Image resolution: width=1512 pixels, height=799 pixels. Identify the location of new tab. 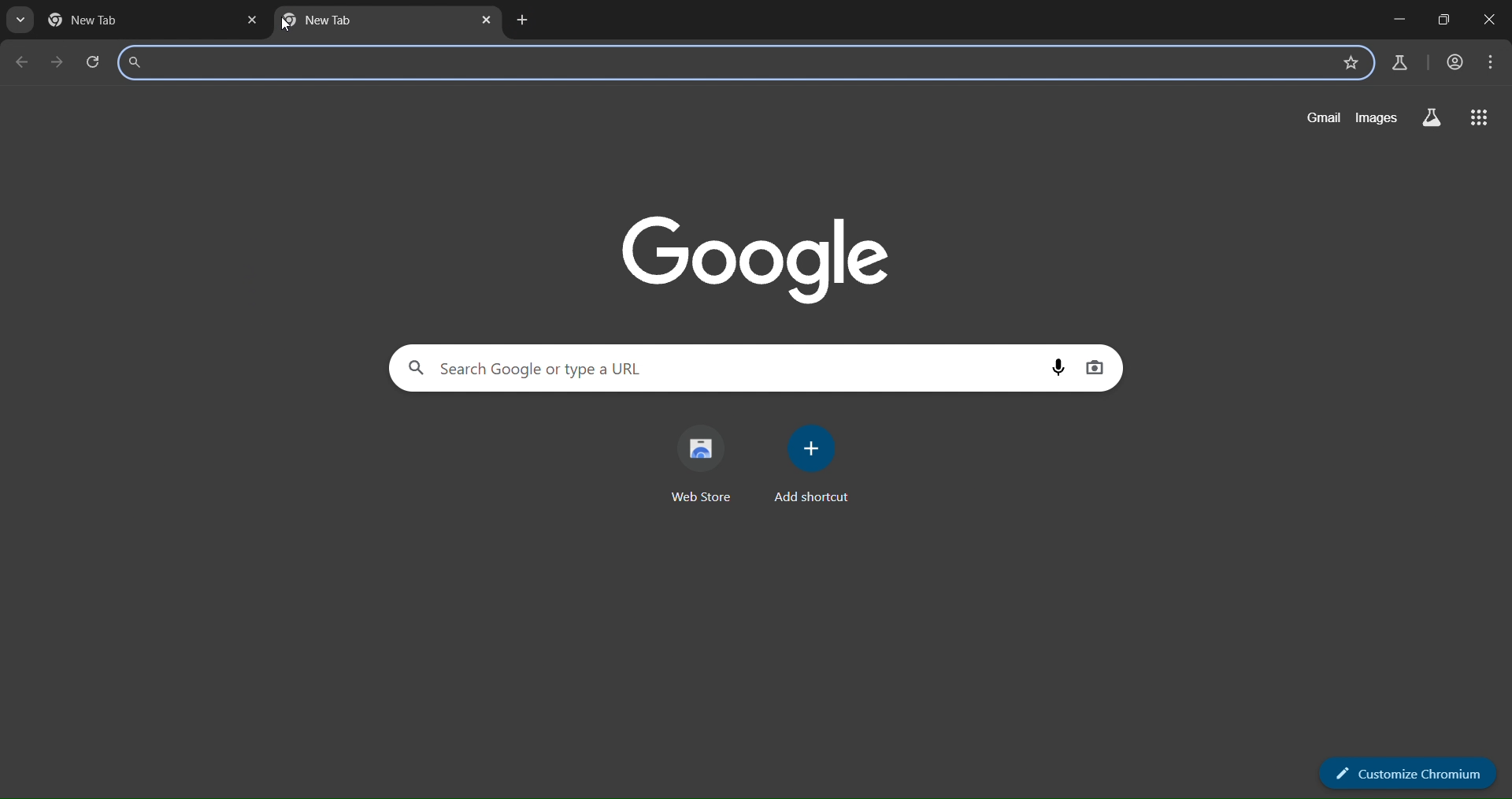
(367, 22).